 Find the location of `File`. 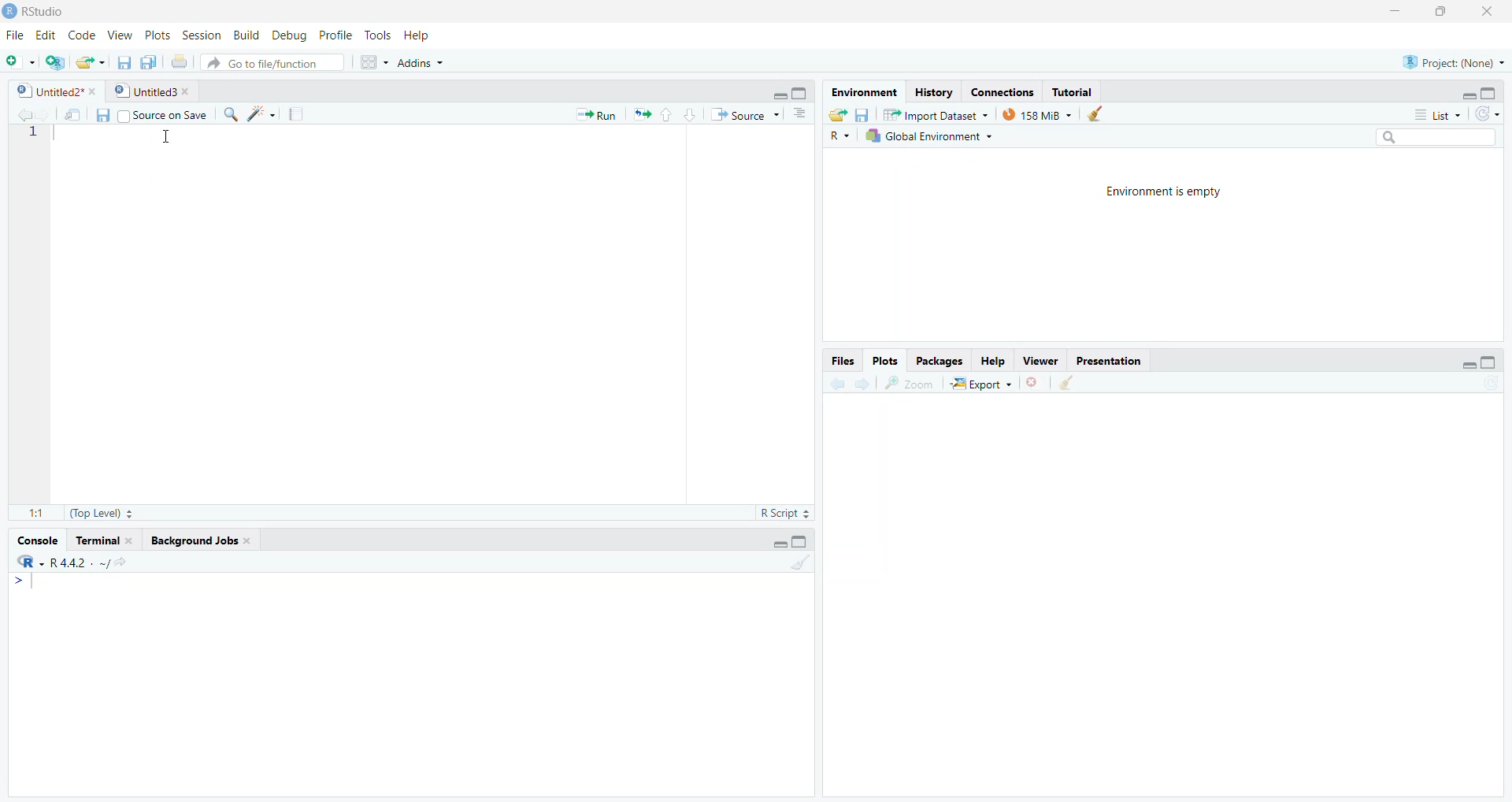

File is located at coordinates (15, 33).